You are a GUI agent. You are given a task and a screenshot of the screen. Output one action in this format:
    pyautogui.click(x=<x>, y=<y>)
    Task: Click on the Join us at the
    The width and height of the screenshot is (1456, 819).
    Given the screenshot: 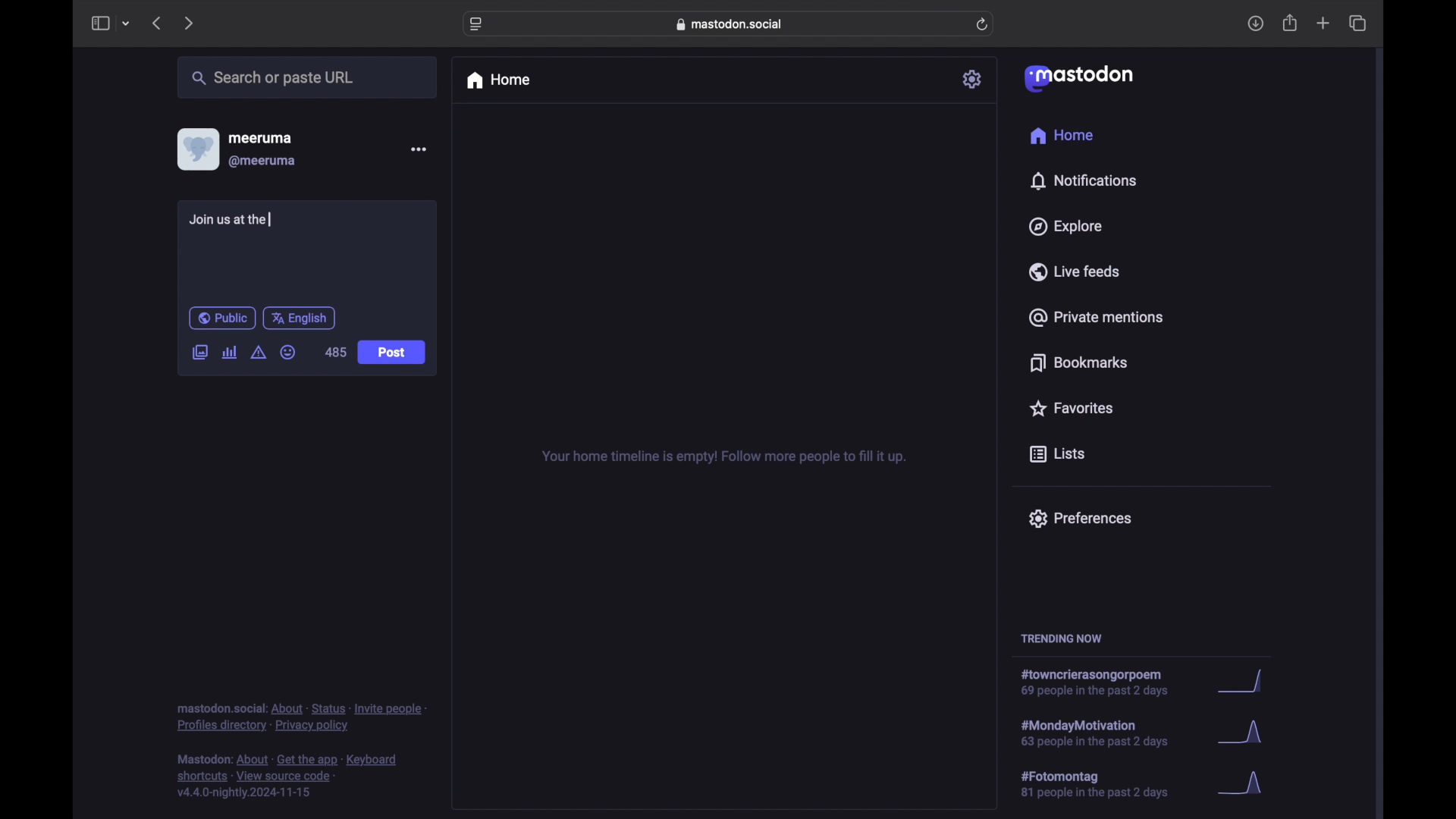 What is the action you would take?
    pyautogui.click(x=231, y=221)
    